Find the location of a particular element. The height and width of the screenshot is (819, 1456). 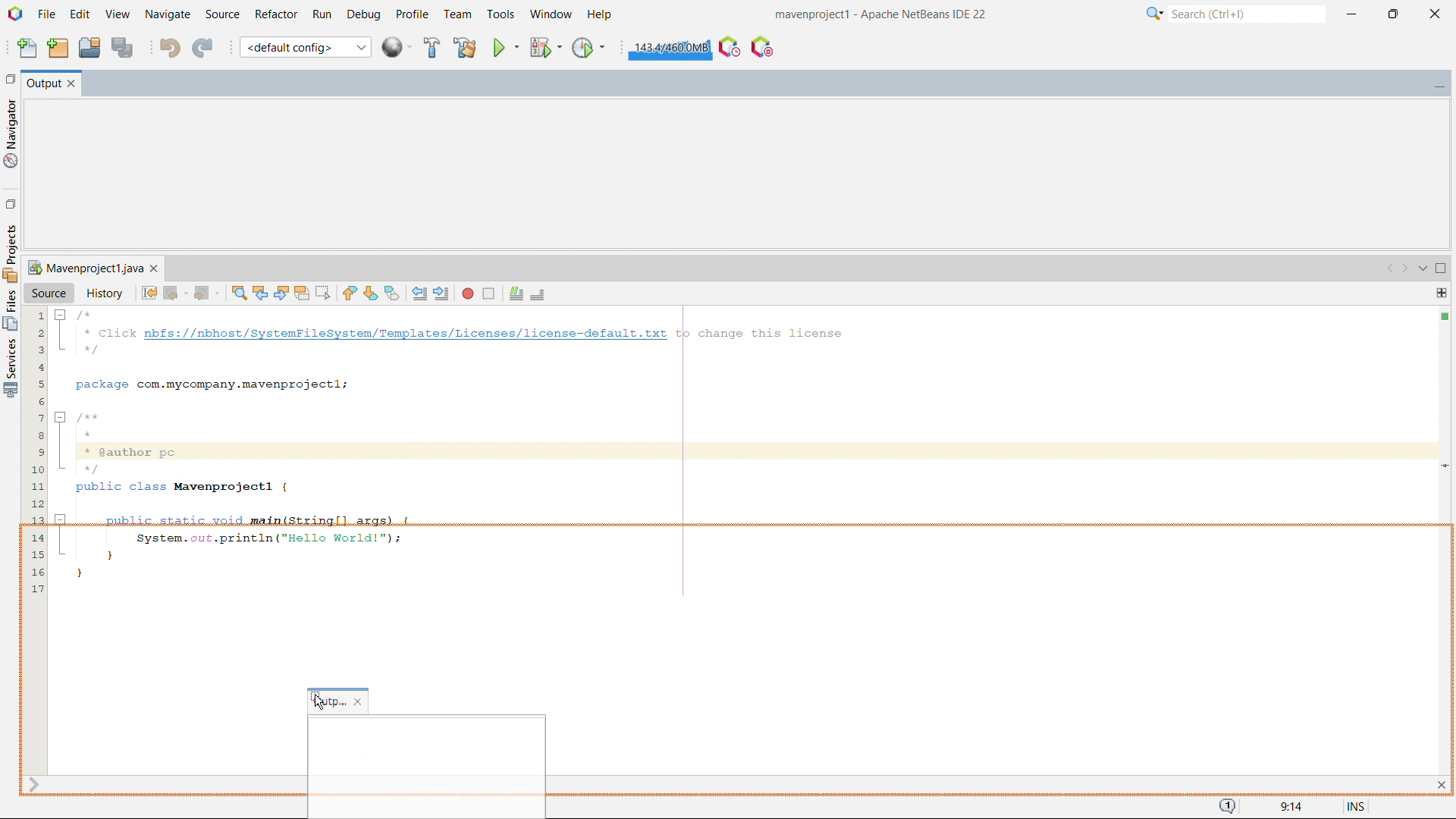

9:14 is located at coordinates (1288, 807).